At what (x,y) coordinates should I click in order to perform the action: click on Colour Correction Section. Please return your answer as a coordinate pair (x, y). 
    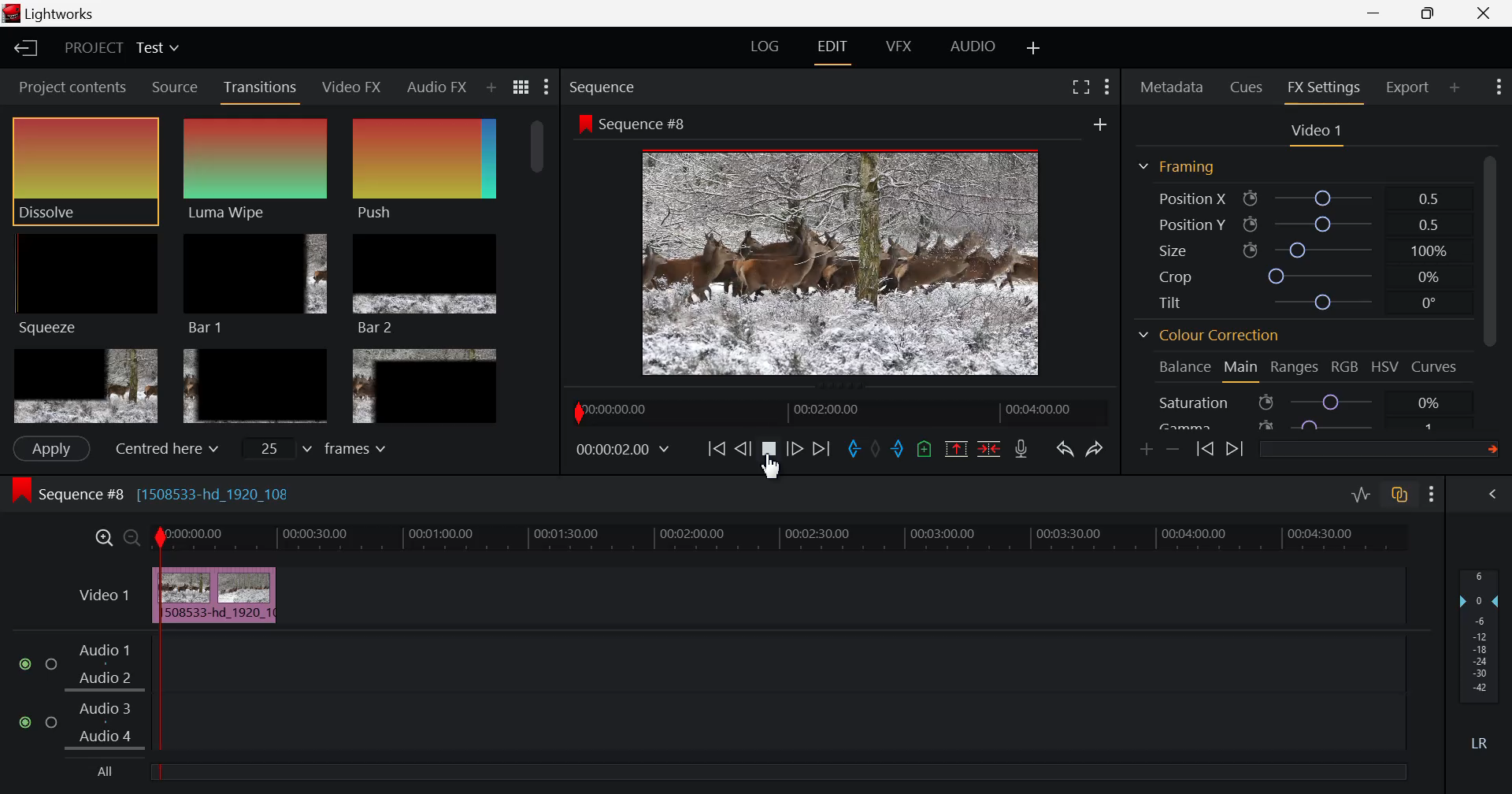
    Looking at the image, I should click on (1210, 337).